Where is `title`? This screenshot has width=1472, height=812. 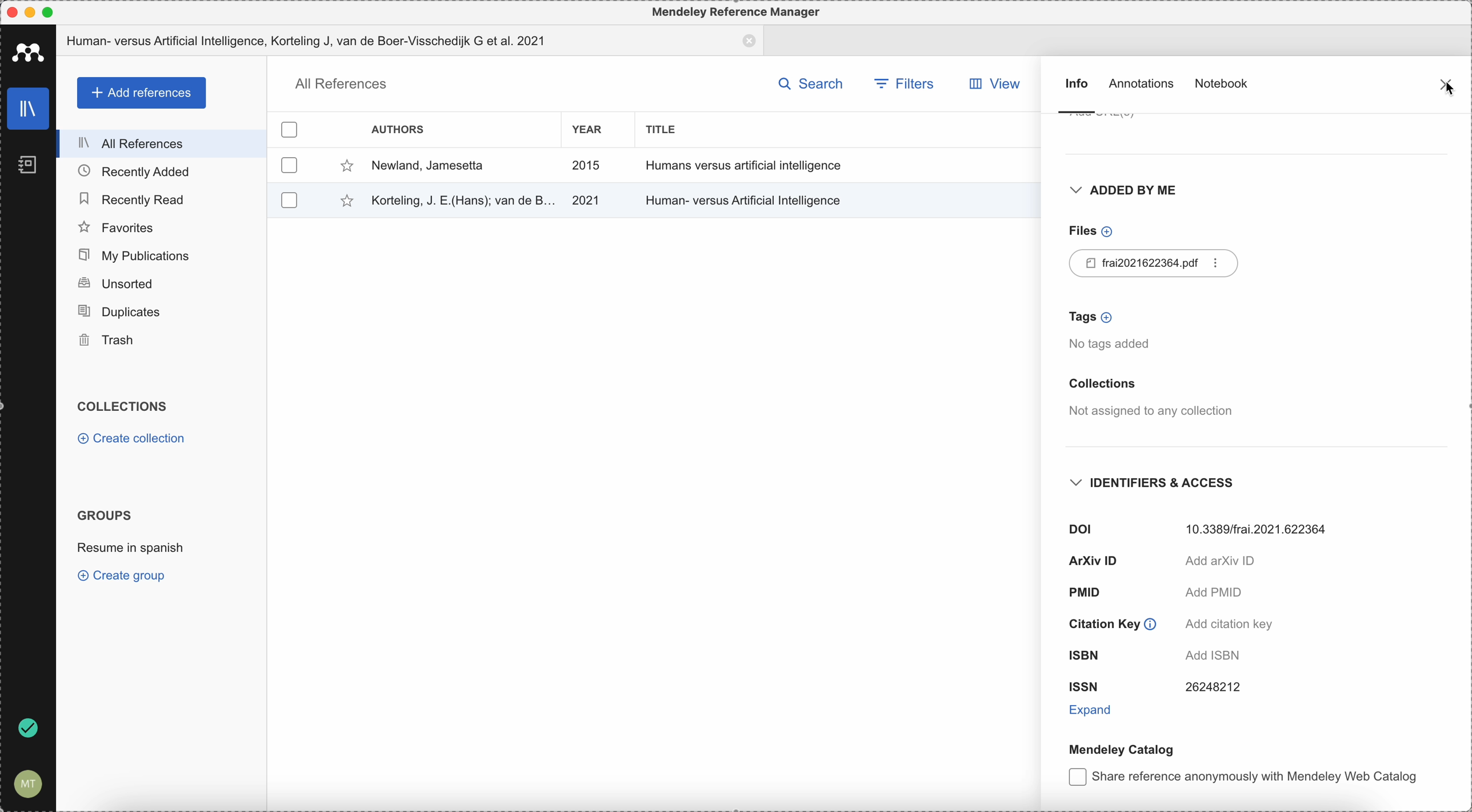 title is located at coordinates (666, 129).